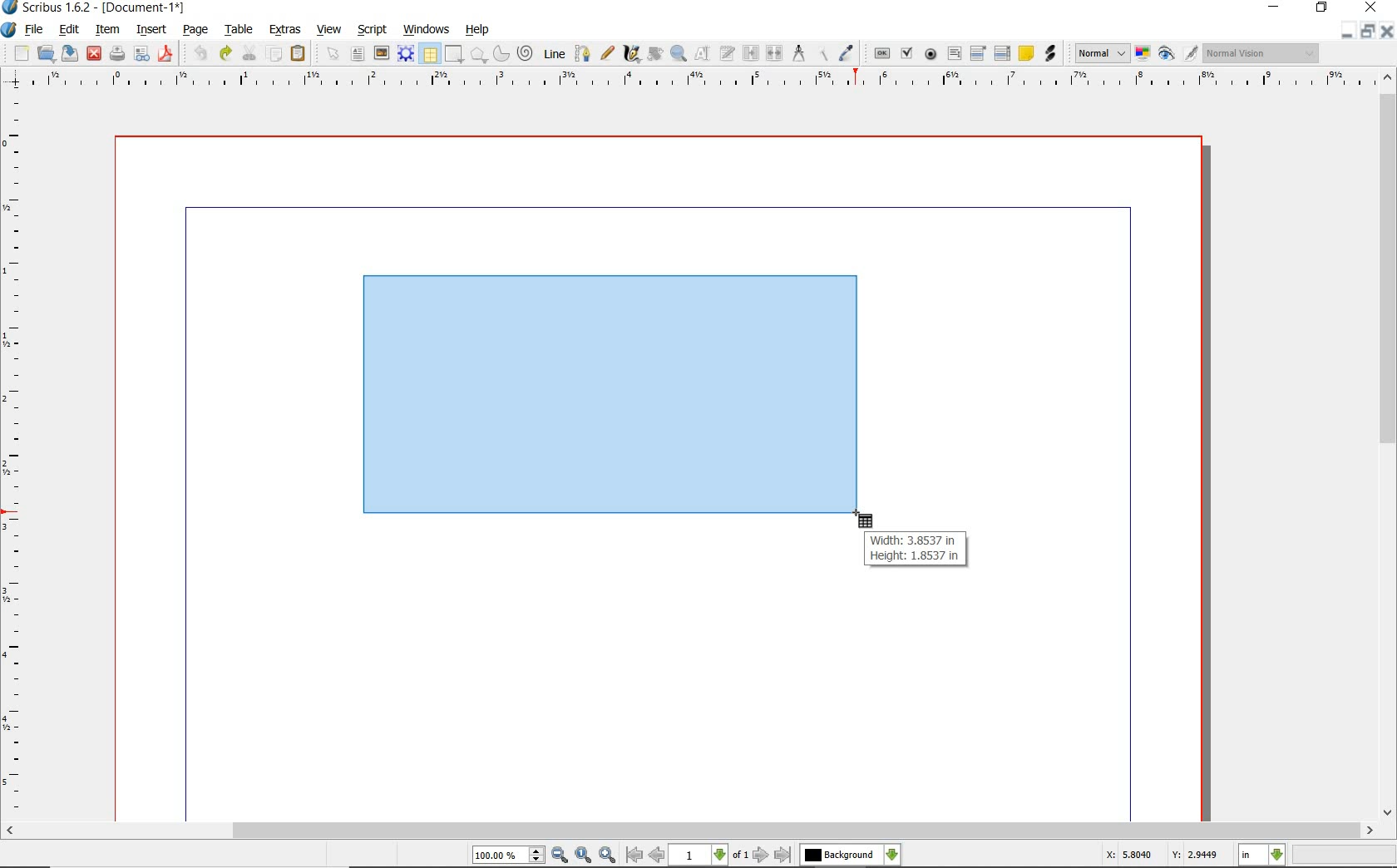 The image size is (1397, 868). Describe the element at coordinates (610, 399) in the screenshot. I see `drawing table` at that location.